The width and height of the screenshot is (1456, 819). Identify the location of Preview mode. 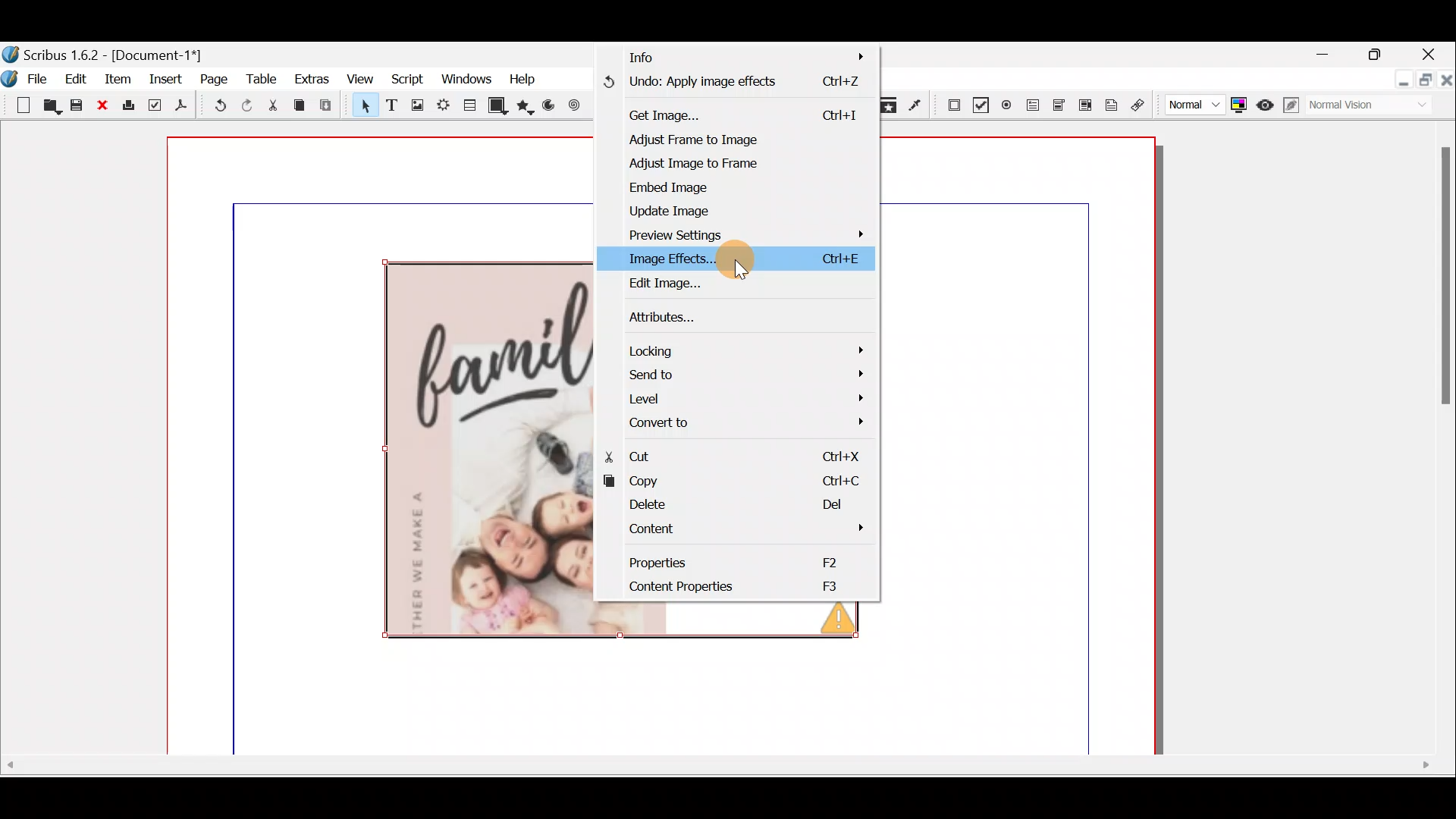
(1262, 102).